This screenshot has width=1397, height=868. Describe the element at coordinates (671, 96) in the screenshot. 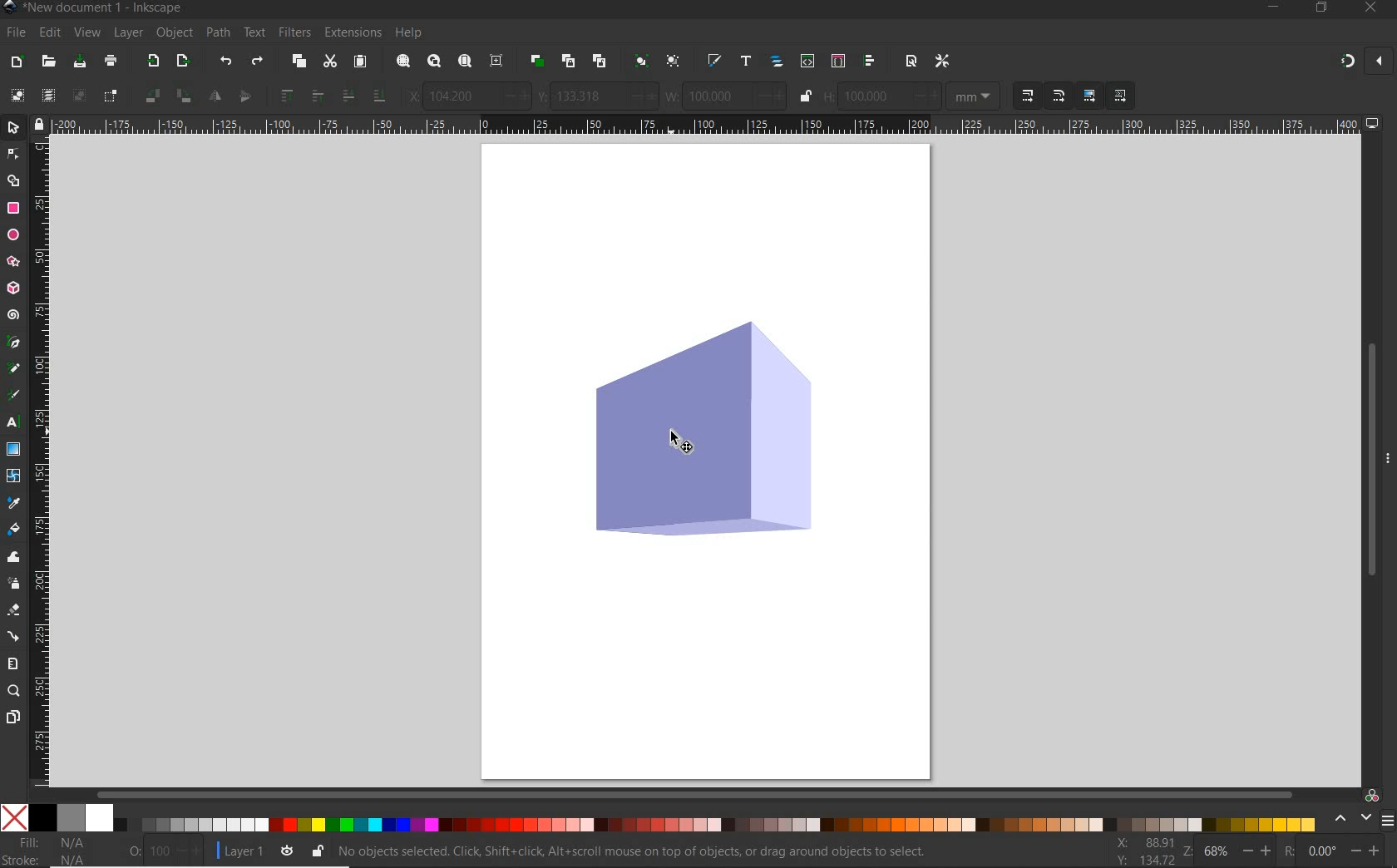

I see `WEIGHT OF SELECTION` at that location.